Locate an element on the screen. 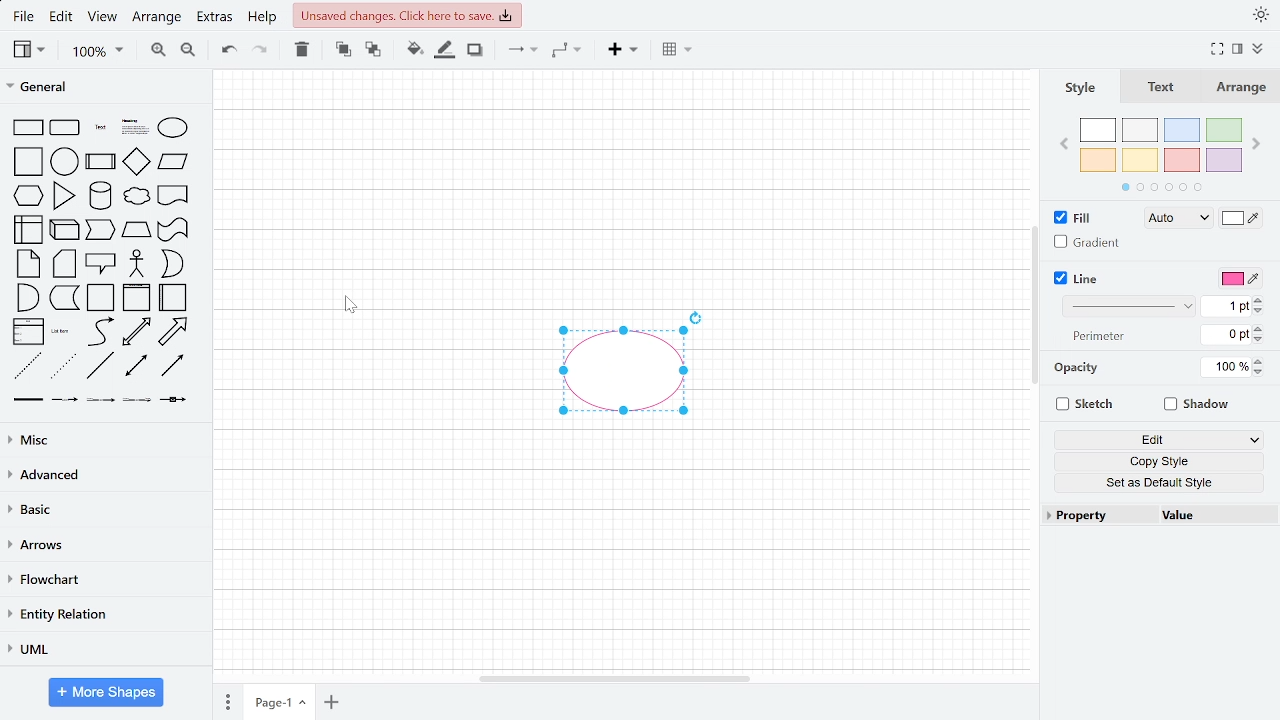 The width and height of the screenshot is (1280, 720). help is located at coordinates (262, 20).